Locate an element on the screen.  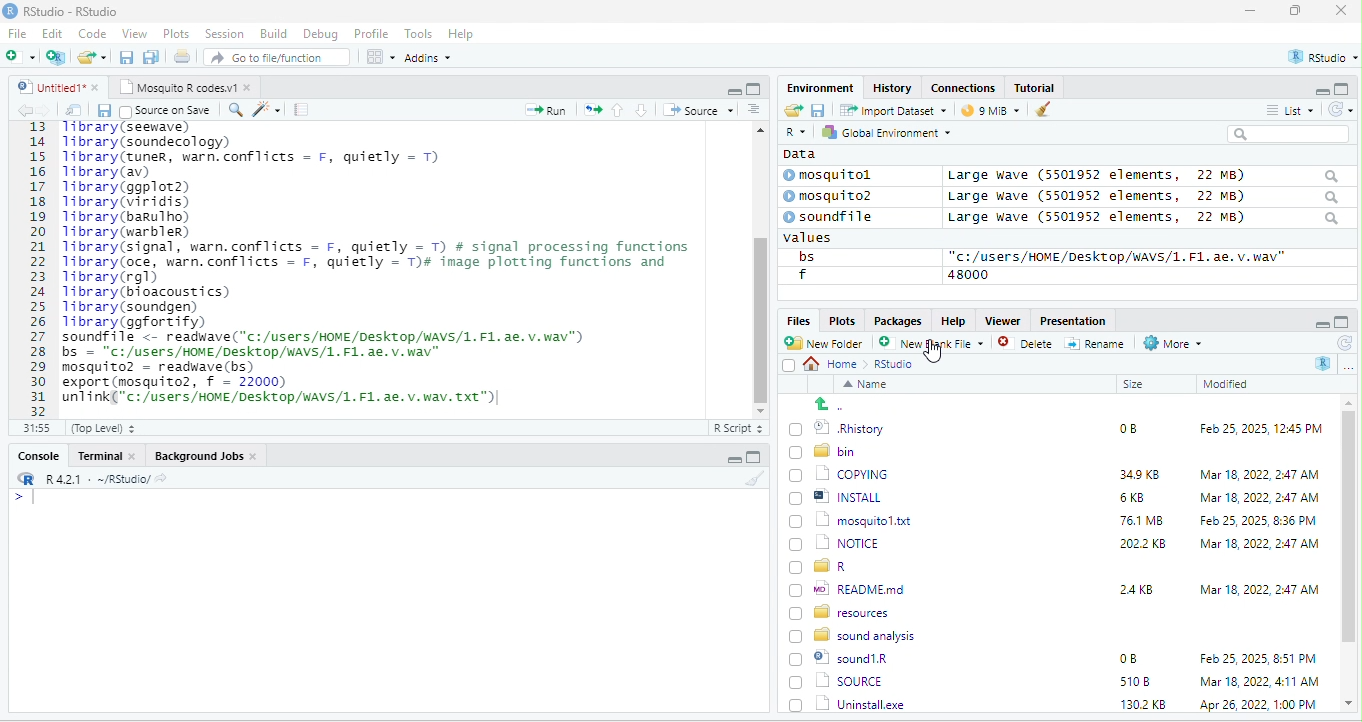
Build is located at coordinates (274, 33).